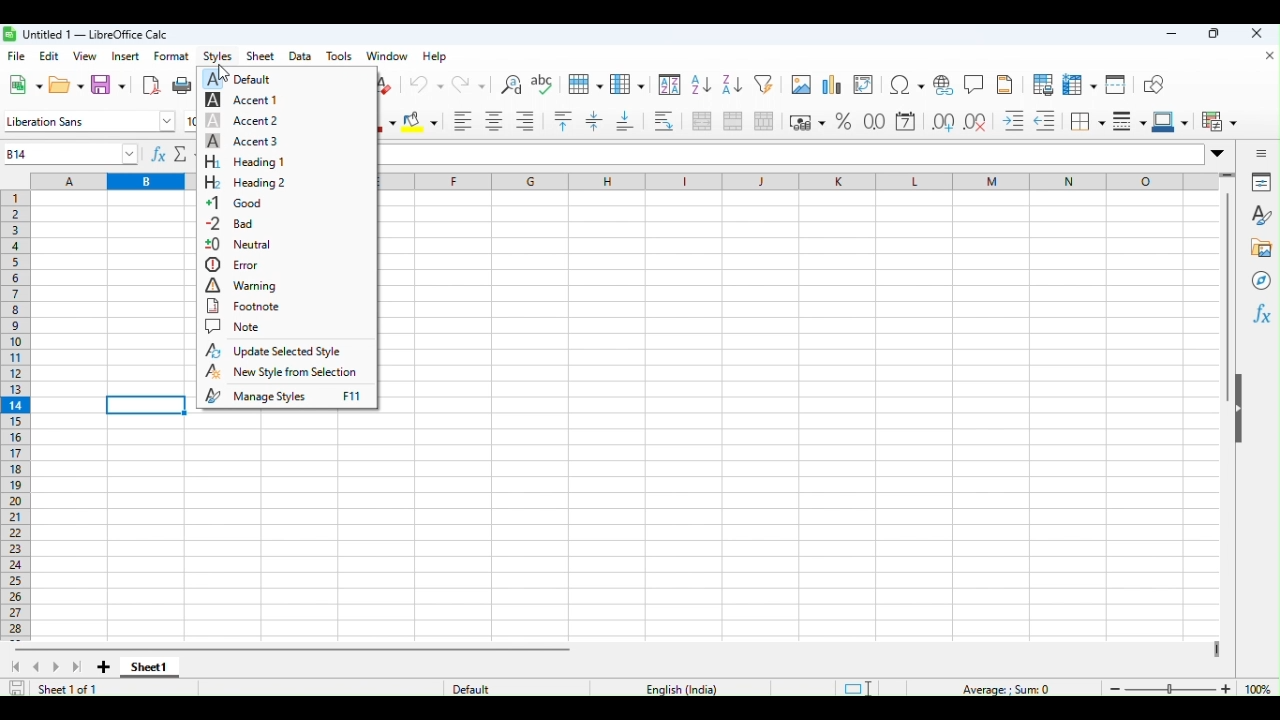 Image resolution: width=1280 pixels, height=720 pixels. I want to click on increase indent, so click(1008, 121).